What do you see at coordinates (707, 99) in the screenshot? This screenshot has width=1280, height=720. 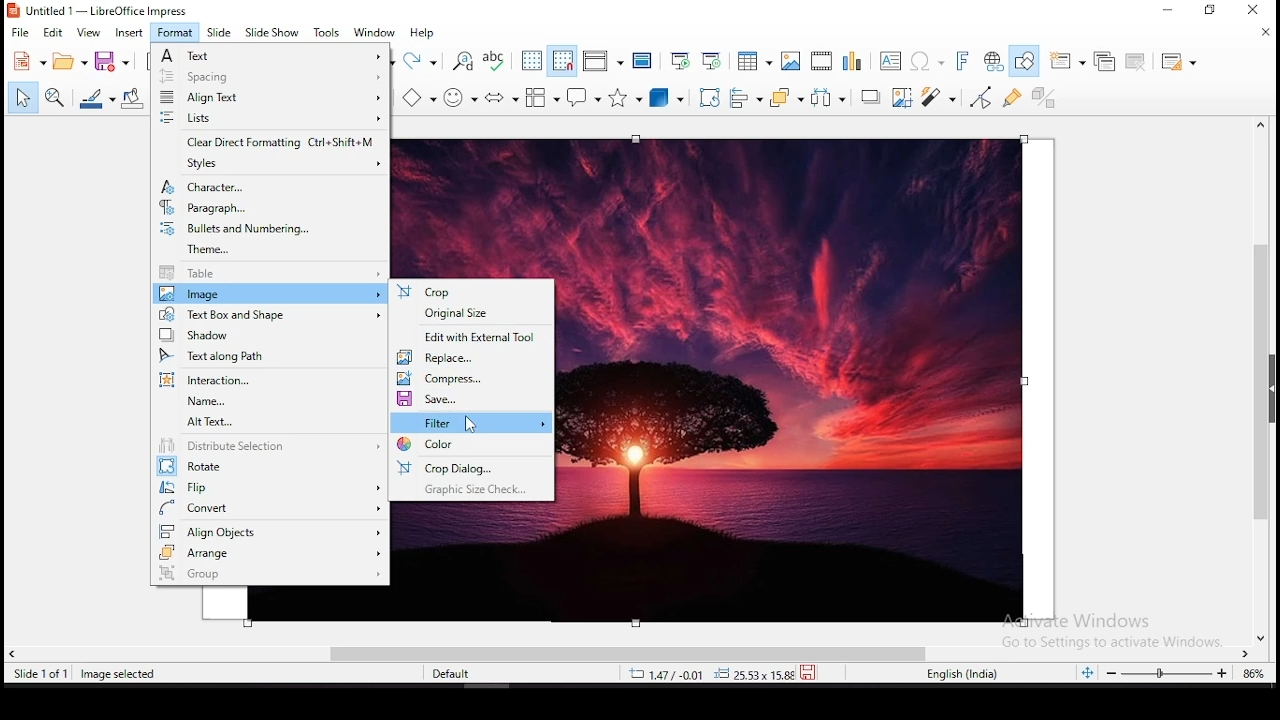 I see `rotate` at bounding box center [707, 99].